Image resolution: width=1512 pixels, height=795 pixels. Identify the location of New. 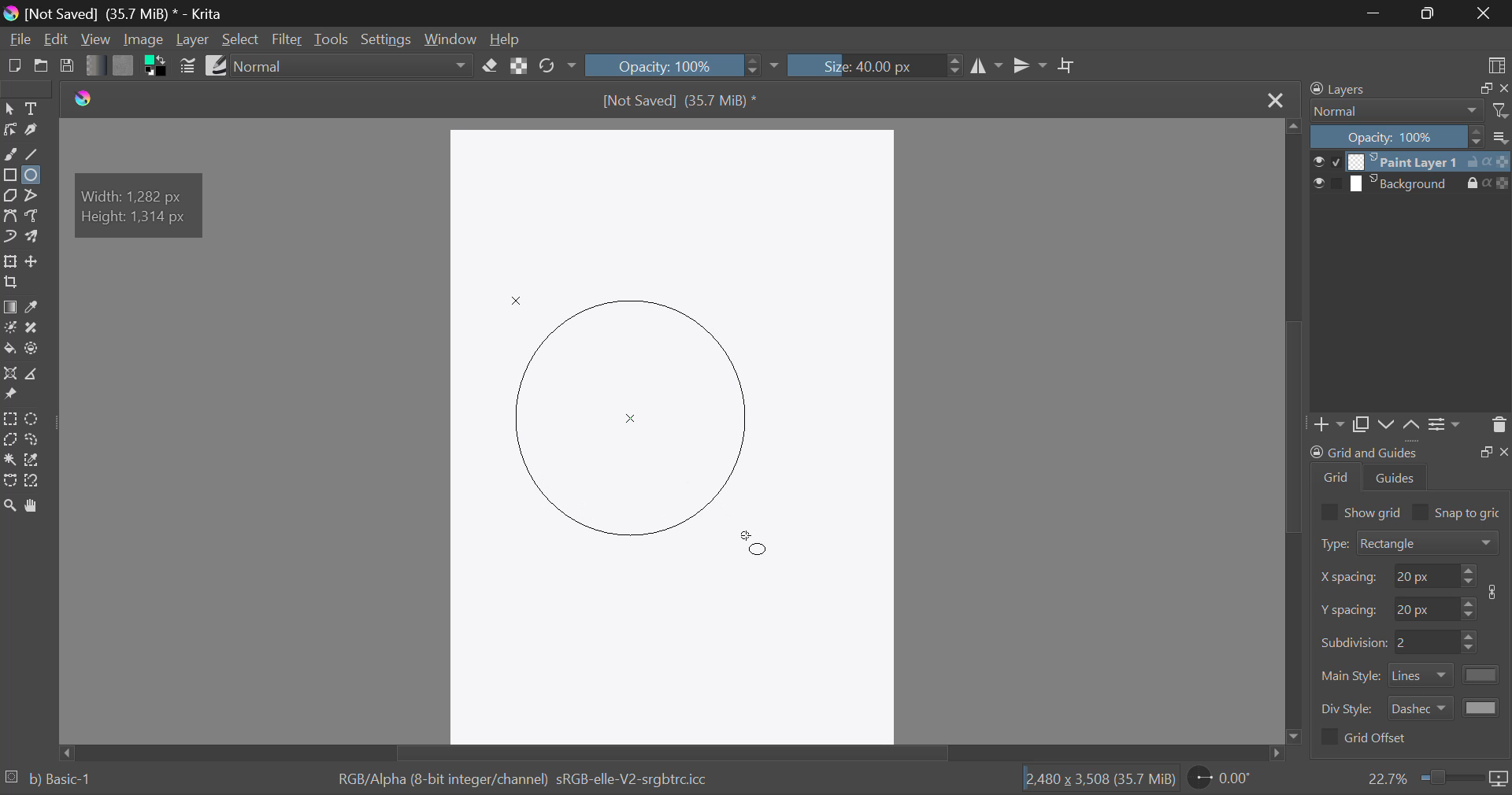
(14, 66).